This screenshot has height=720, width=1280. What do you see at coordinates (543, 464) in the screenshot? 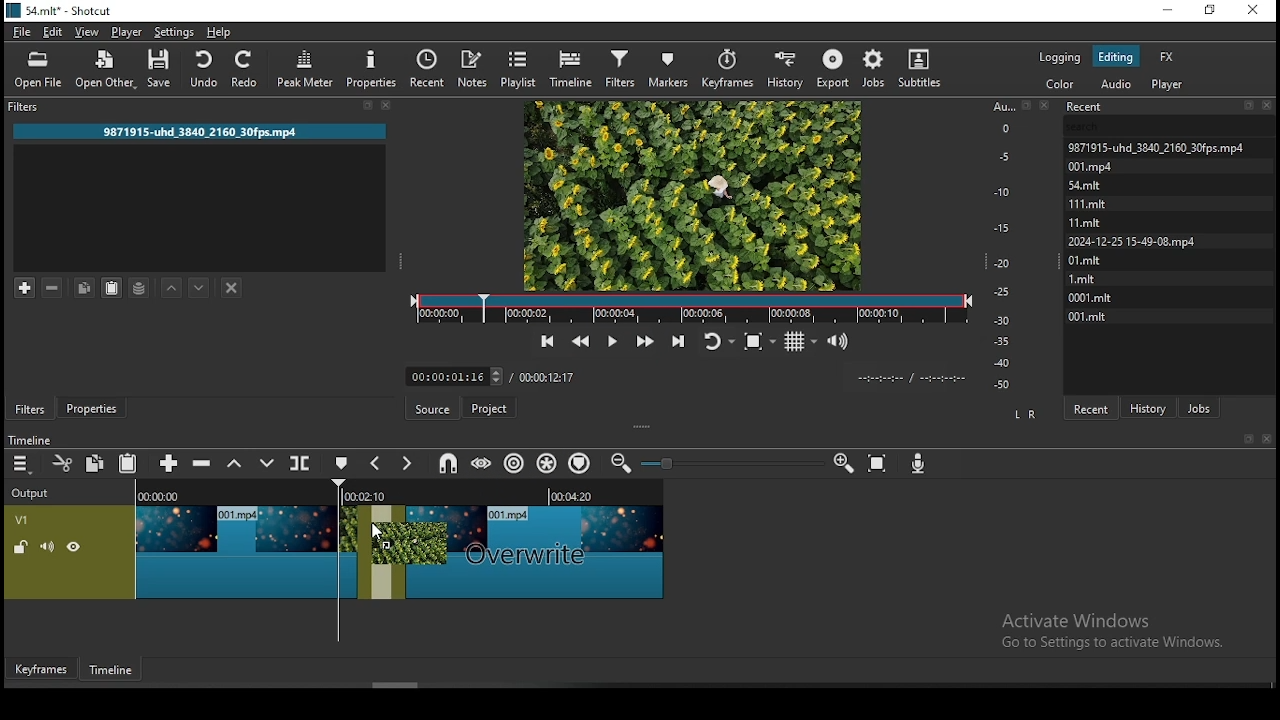
I see `ripple all tracks` at bounding box center [543, 464].